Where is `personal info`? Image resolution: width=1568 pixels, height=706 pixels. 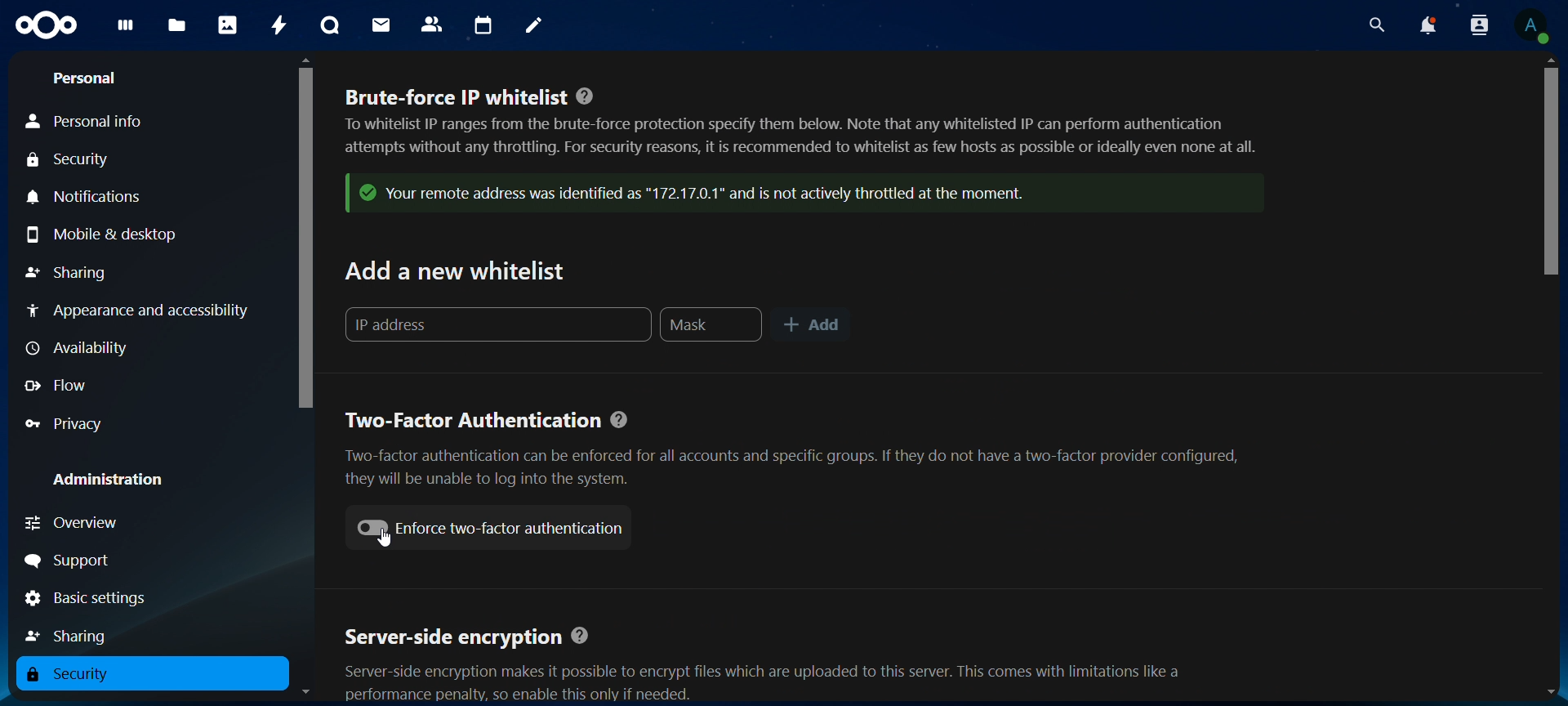
personal info is located at coordinates (83, 123).